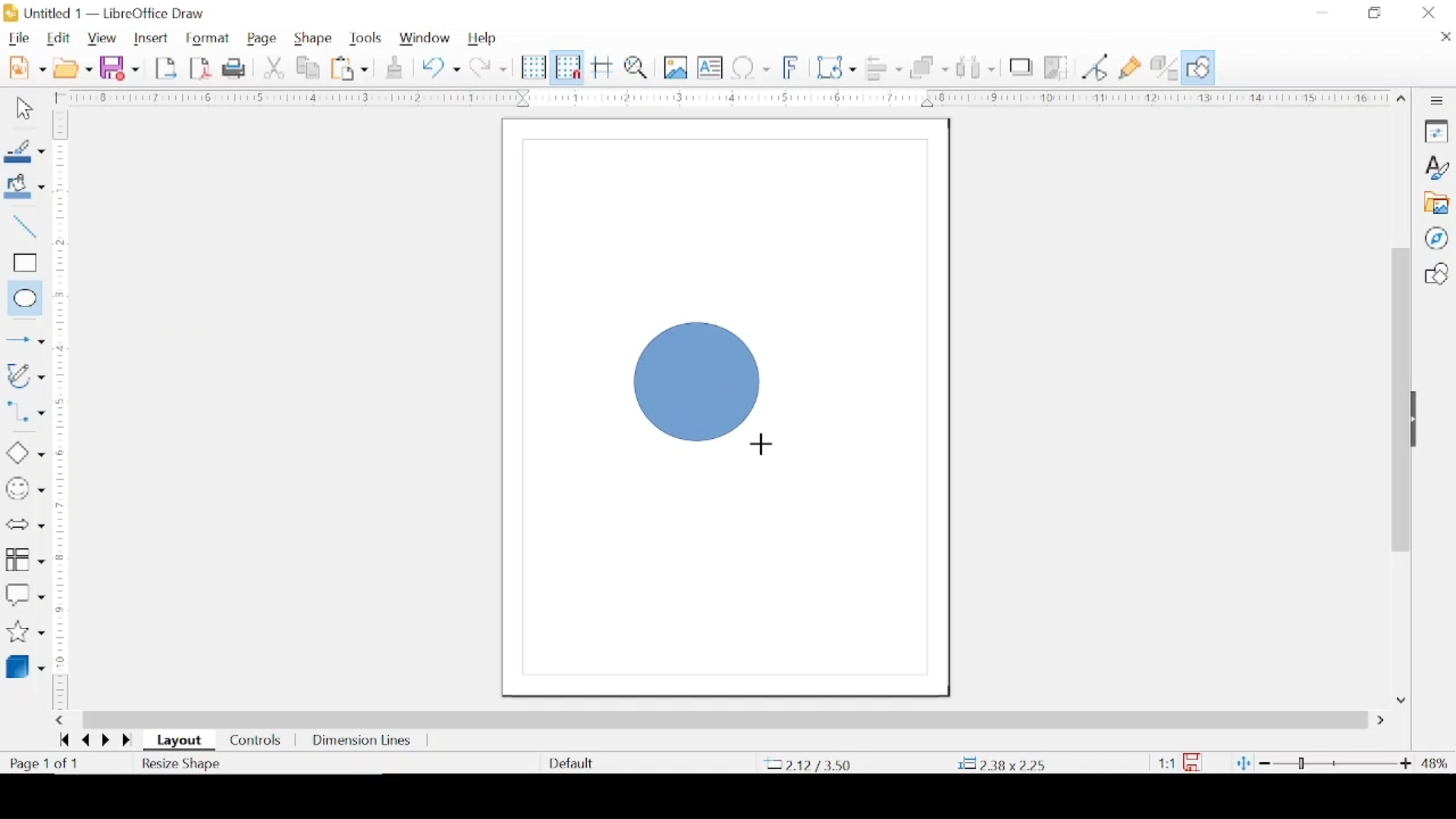  What do you see at coordinates (168, 67) in the screenshot?
I see `export` at bounding box center [168, 67].